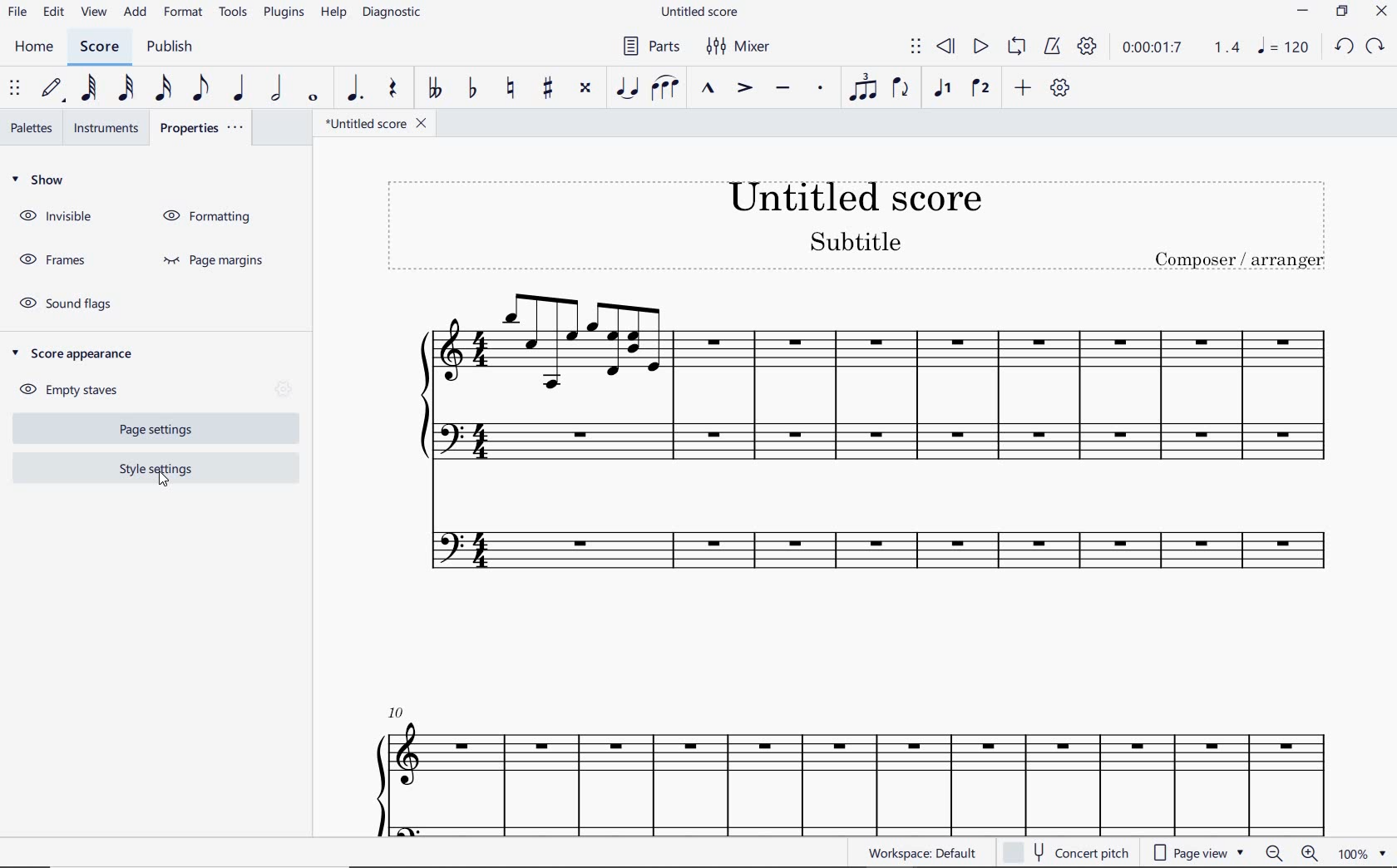 The width and height of the screenshot is (1397, 868). What do you see at coordinates (54, 88) in the screenshot?
I see `DEFAULT (STEP TIME)` at bounding box center [54, 88].